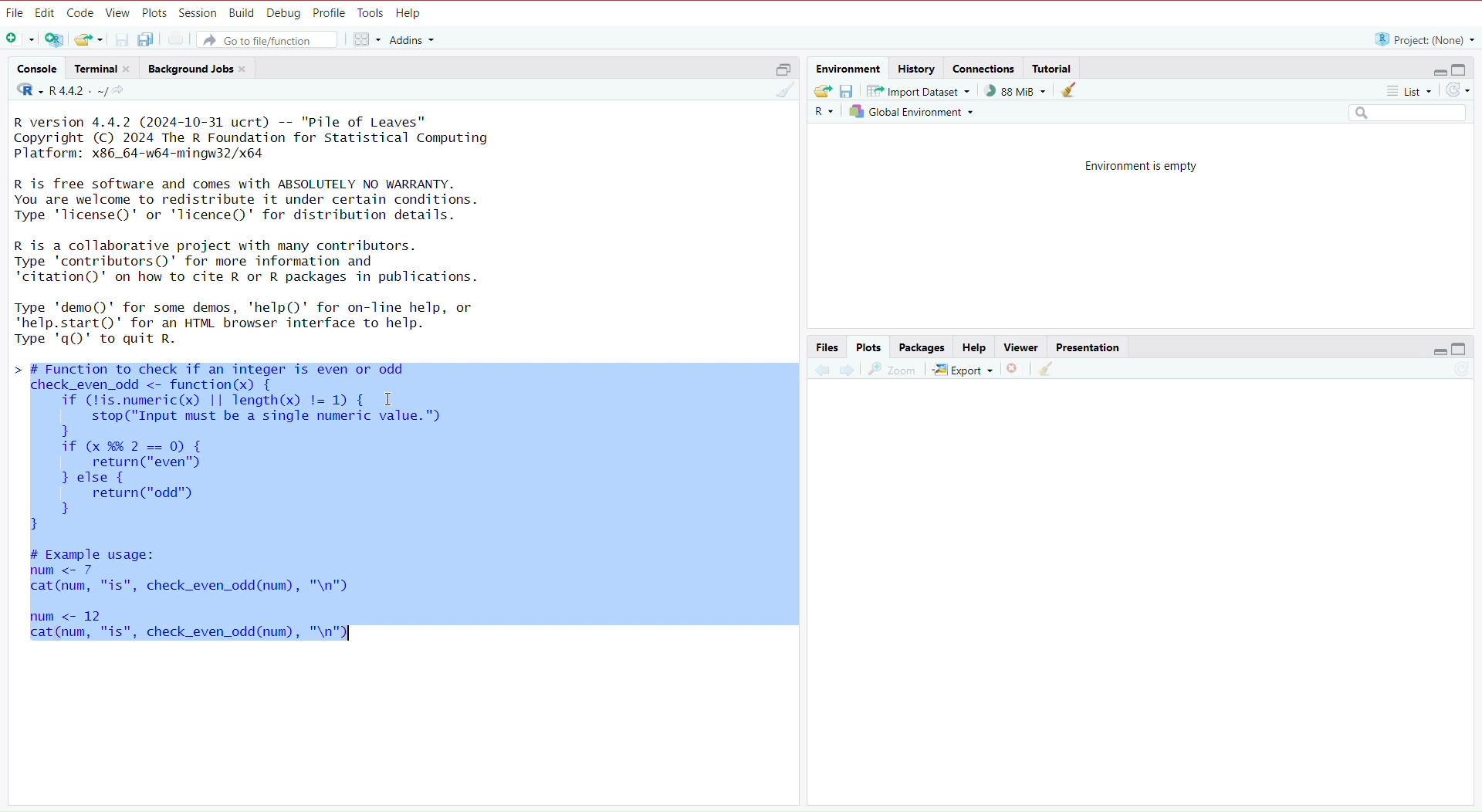 The image size is (1482, 812). What do you see at coordinates (123, 39) in the screenshot?
I see `save current document` at bounding box center [123, 39].